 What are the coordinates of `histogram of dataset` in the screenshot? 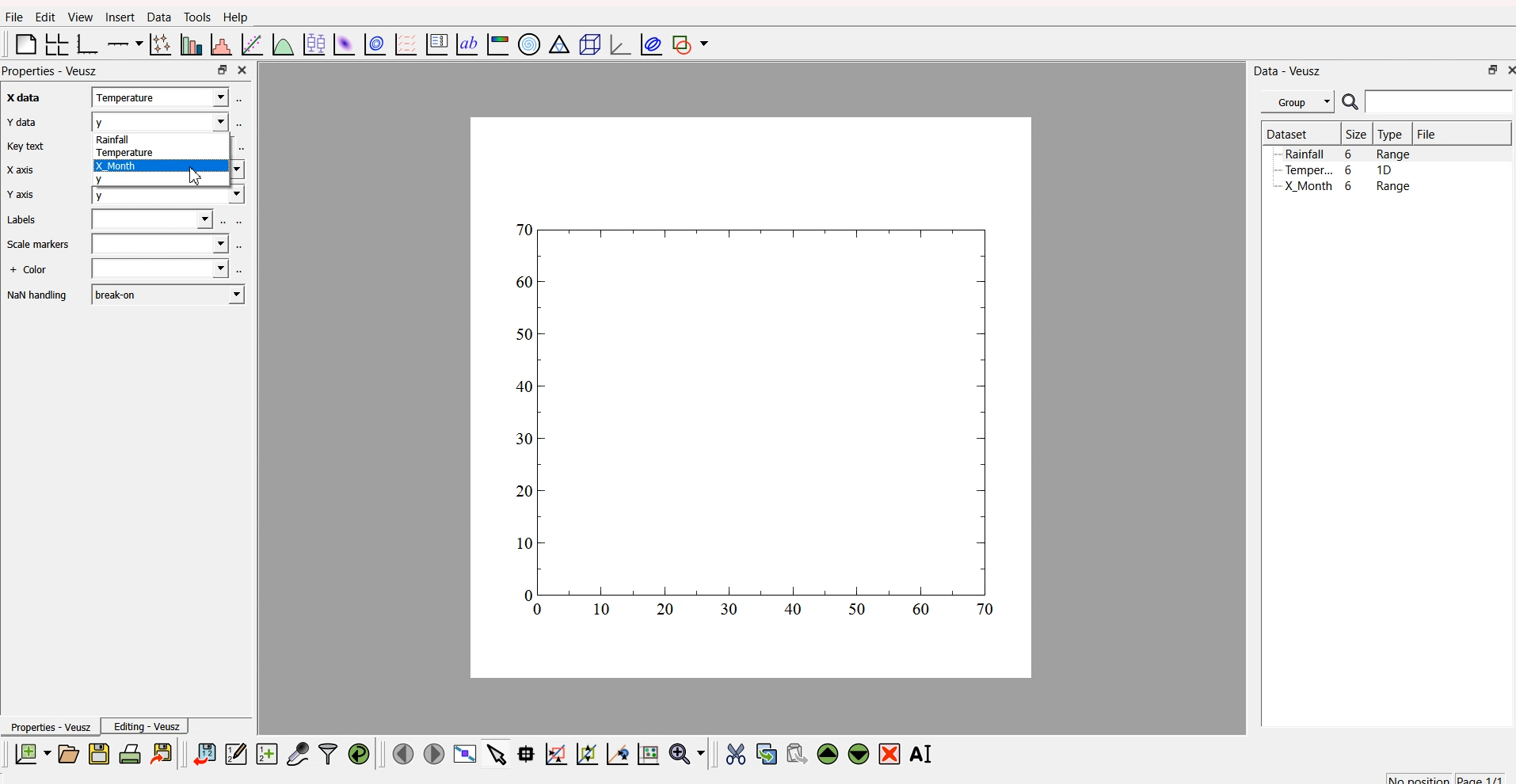 It's located at (223, 45).